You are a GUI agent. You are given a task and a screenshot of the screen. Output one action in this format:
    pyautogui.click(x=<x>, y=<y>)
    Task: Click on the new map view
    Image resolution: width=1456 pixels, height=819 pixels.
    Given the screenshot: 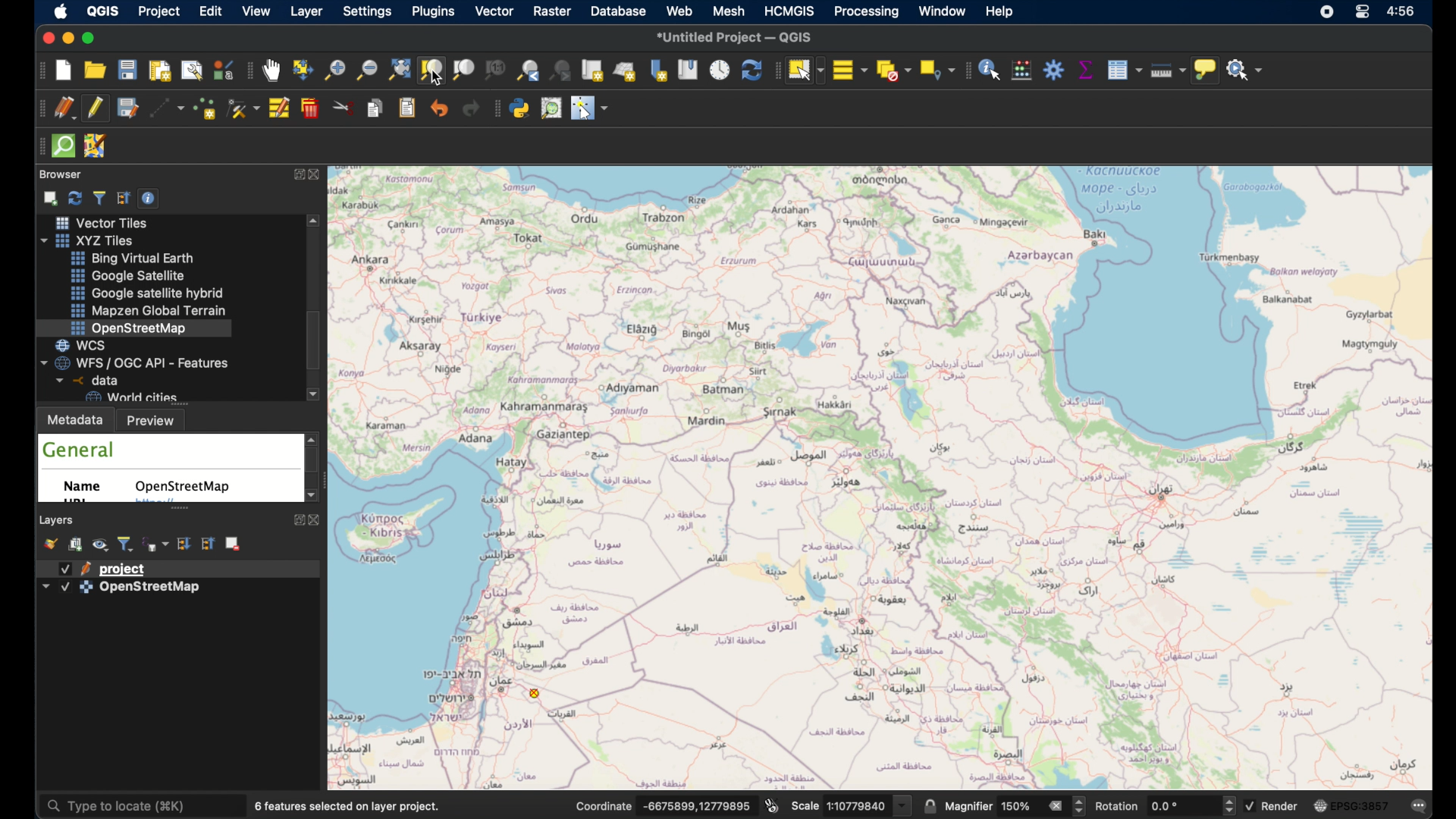 What is the action you would take?
    pyautogui.click(x=593, y=71)
    